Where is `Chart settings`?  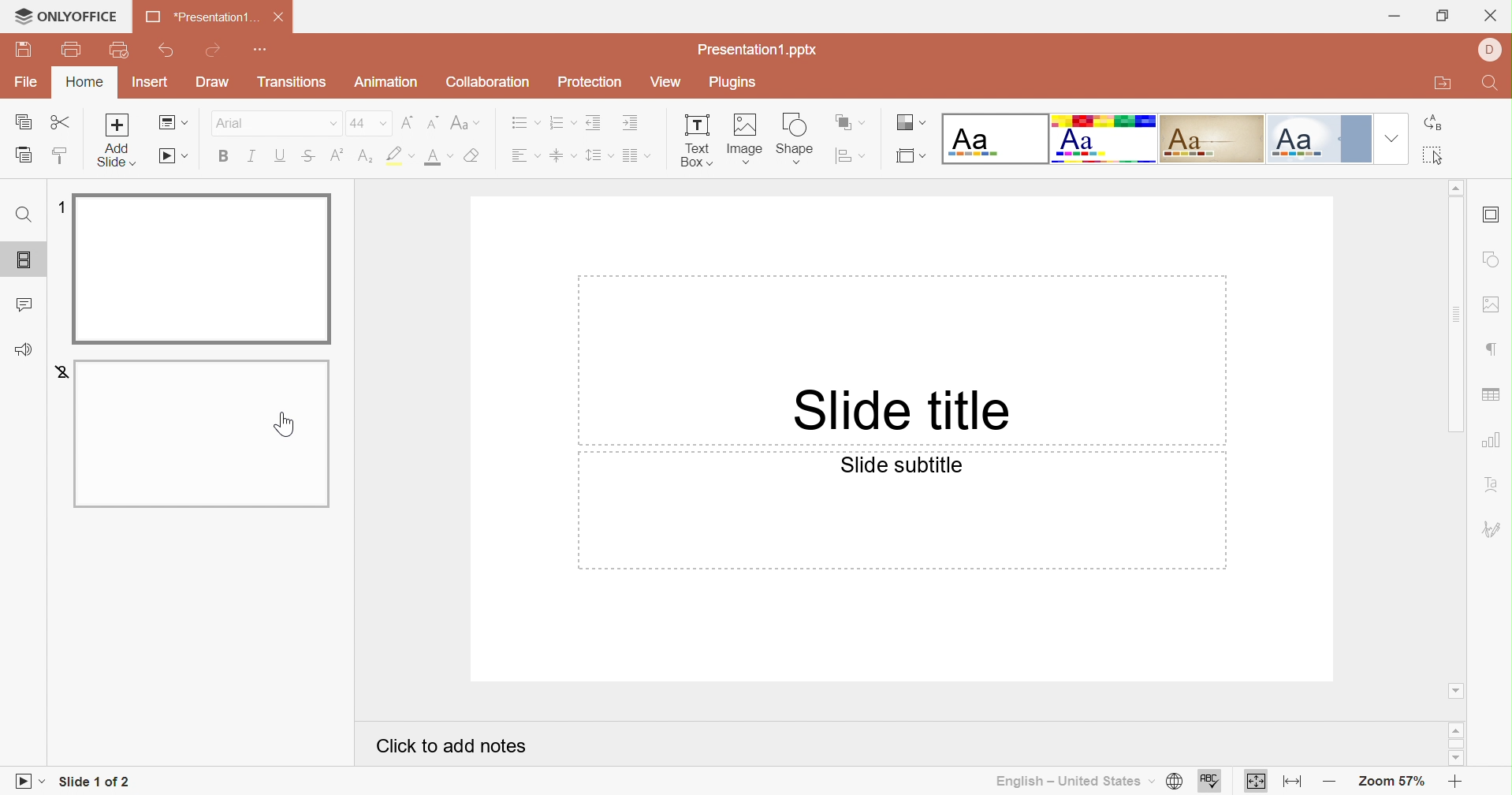 Chart settings is located at coordinates (1493, 444).